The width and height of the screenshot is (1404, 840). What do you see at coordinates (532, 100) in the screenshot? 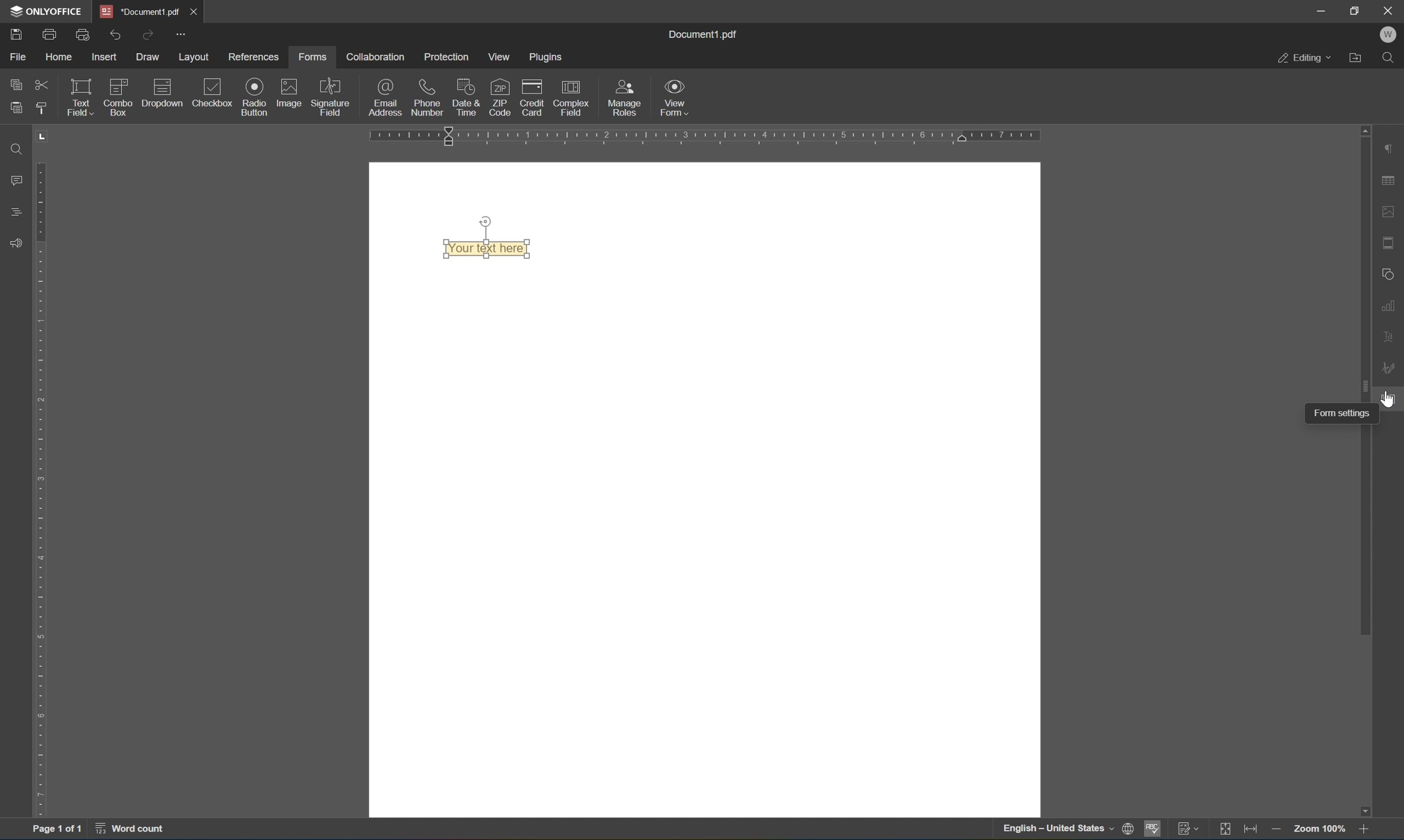
I see `credit card` at bounding box center [532, 100].